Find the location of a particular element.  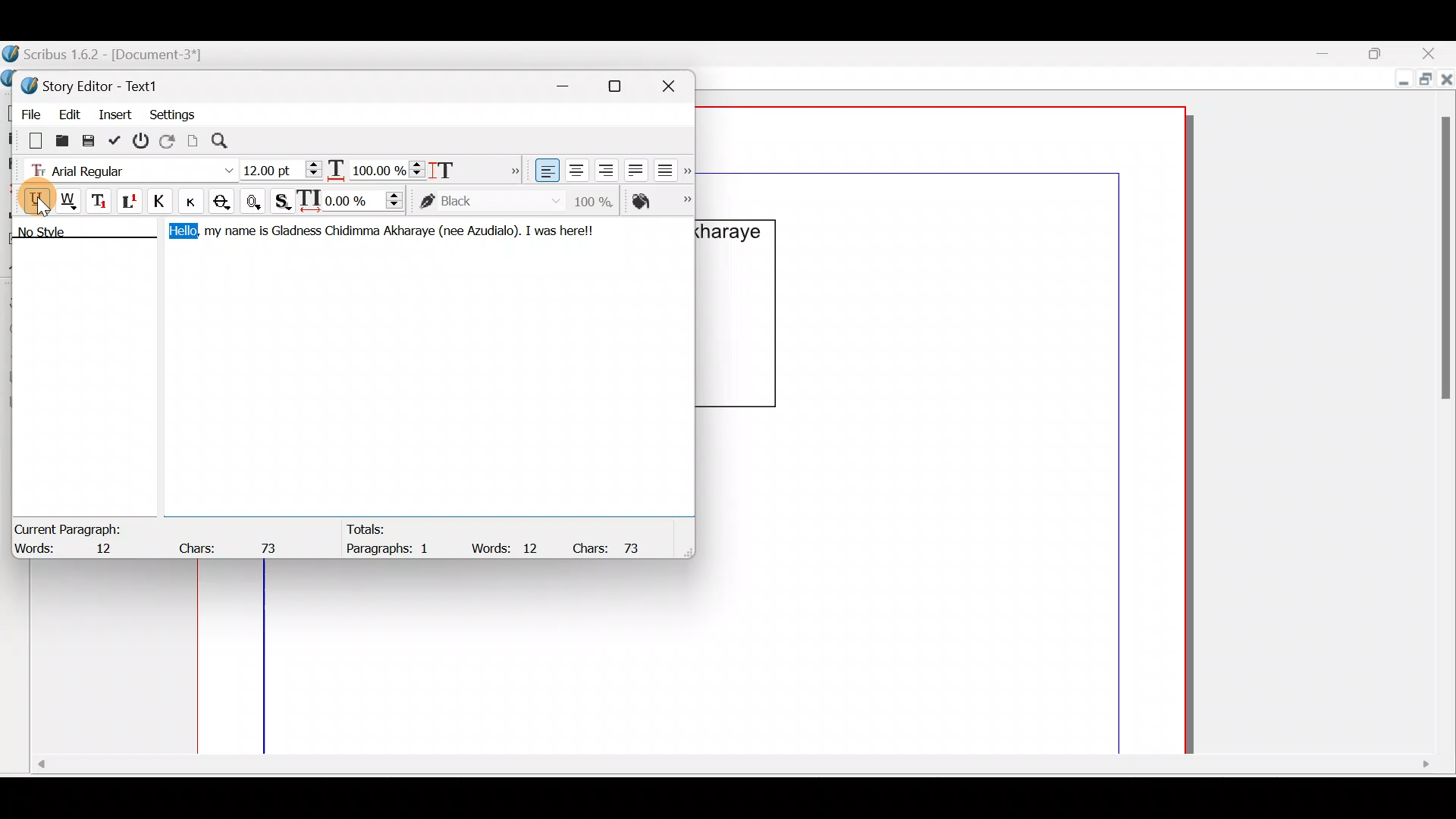

Chars: 73 is located at coordinates (613, 547).